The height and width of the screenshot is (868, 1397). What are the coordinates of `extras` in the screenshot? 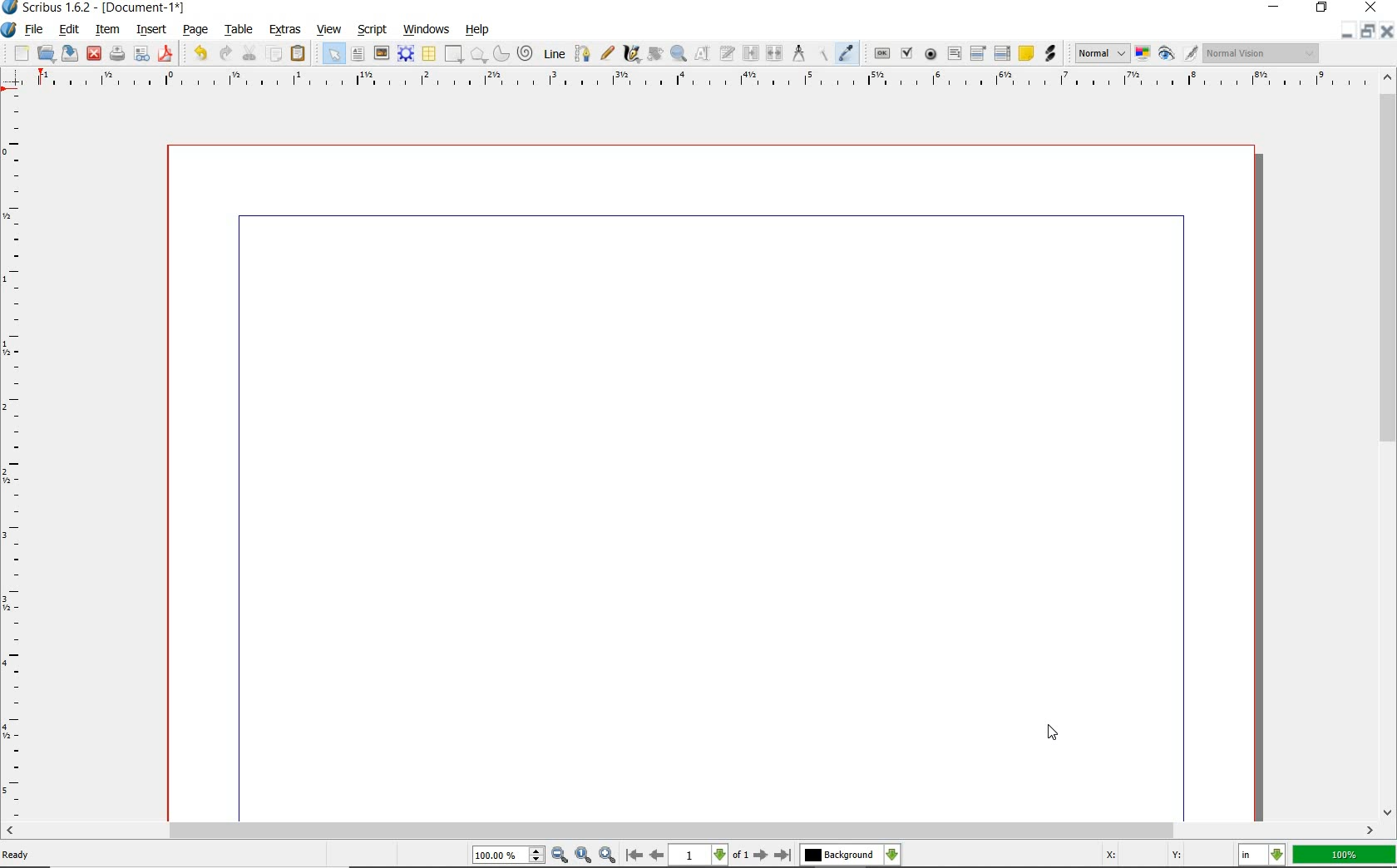 It's located at (288, 30).